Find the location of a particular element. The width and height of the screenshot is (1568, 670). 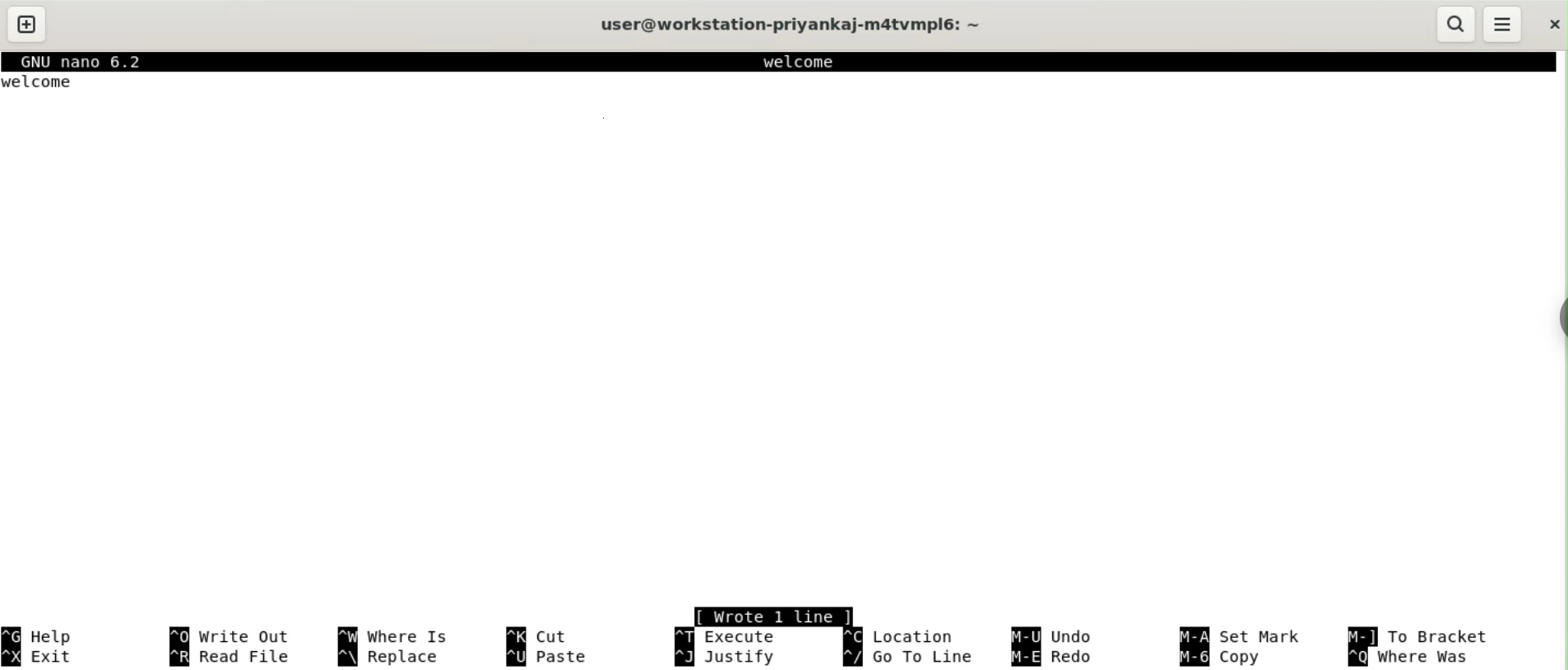

new tab is located at coordinates (28, 23).